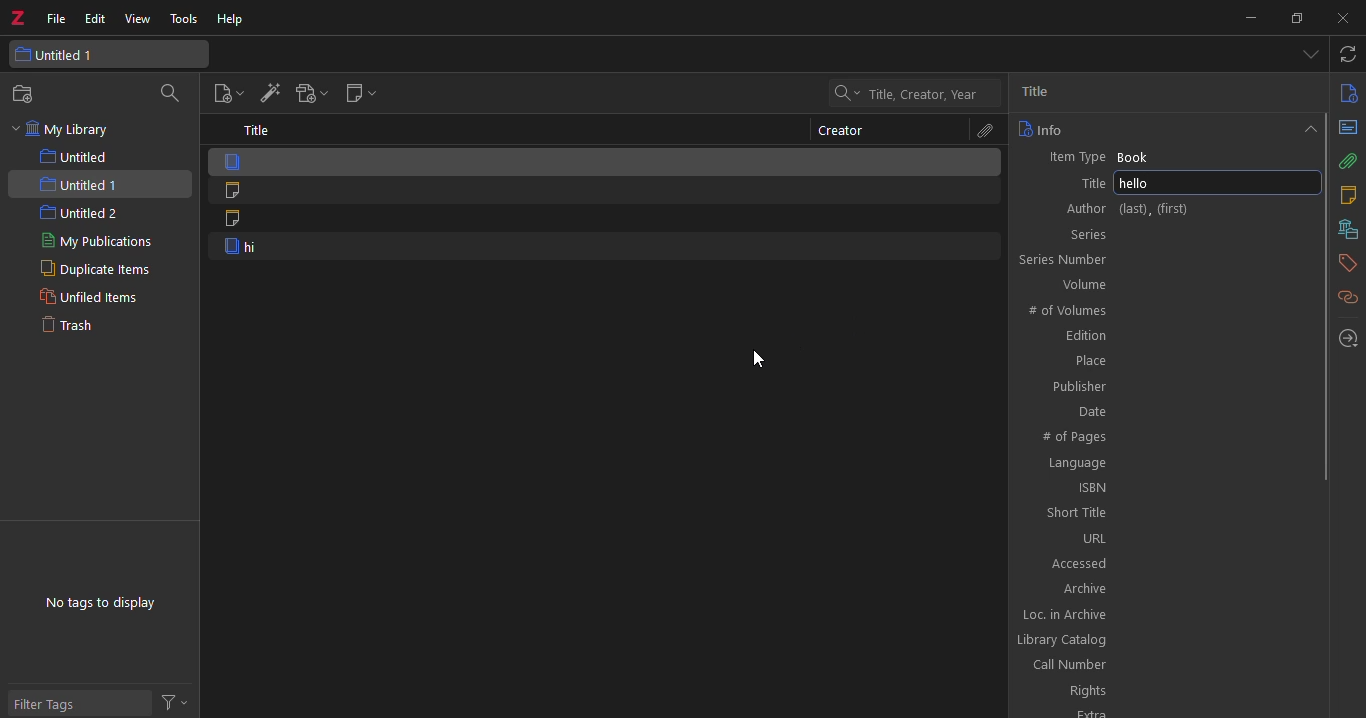 The width and height of the screenshot is (1366, 718). I want to click on URL, so click(1167, 538).